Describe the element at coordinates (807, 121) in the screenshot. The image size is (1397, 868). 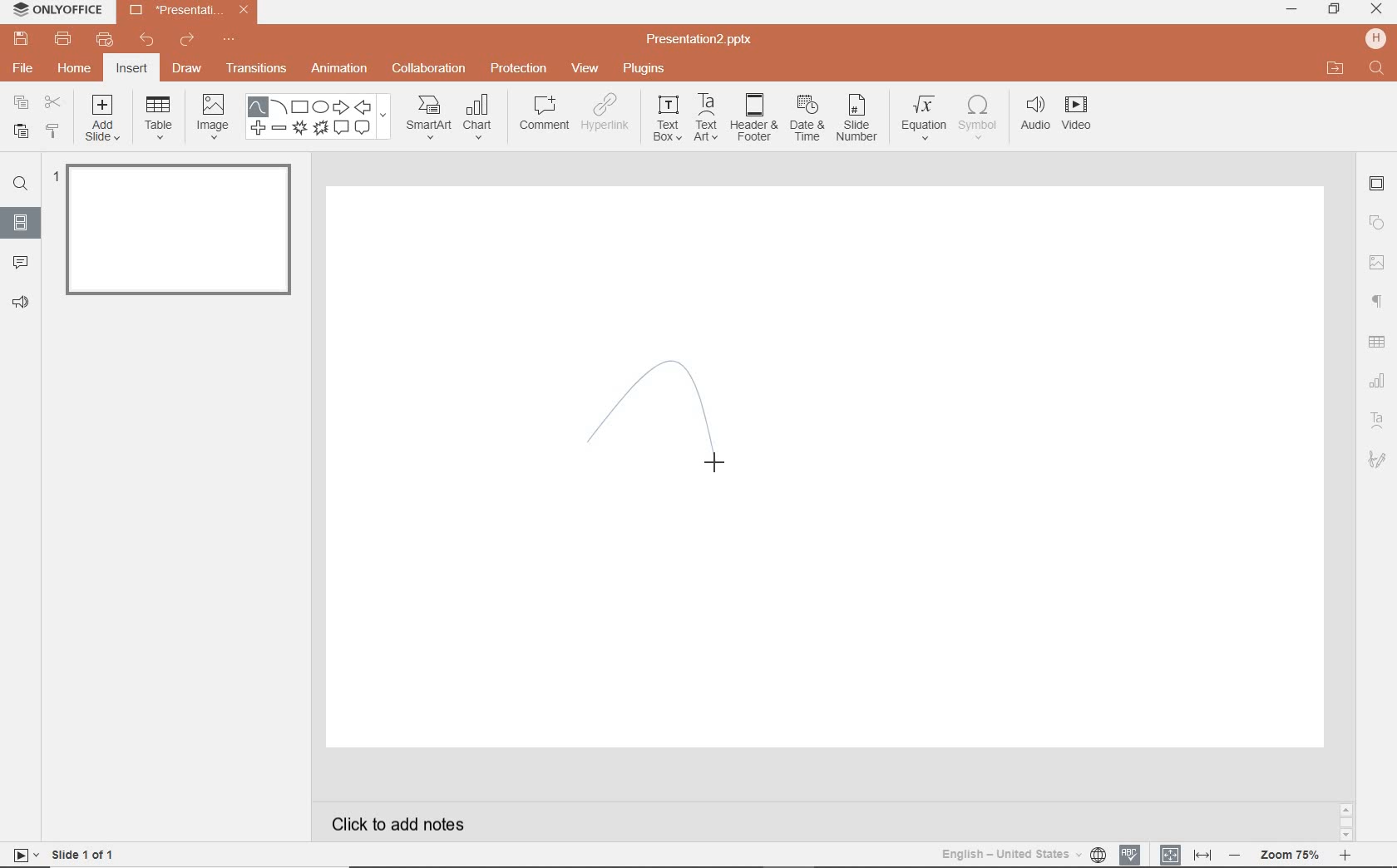
I see `DATE & TIME` at that location.